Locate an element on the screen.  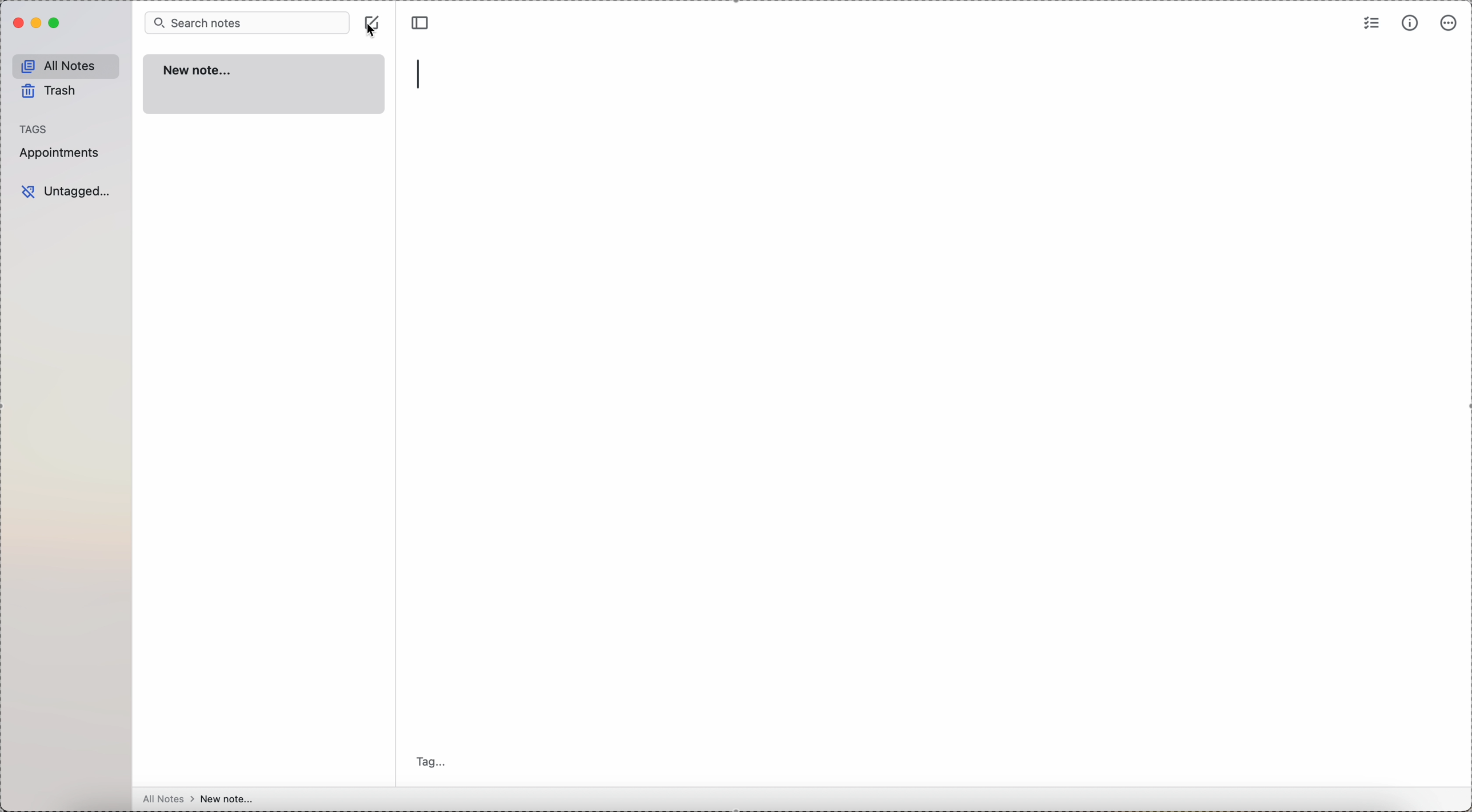
maximize is located at coordinates (56, 23).